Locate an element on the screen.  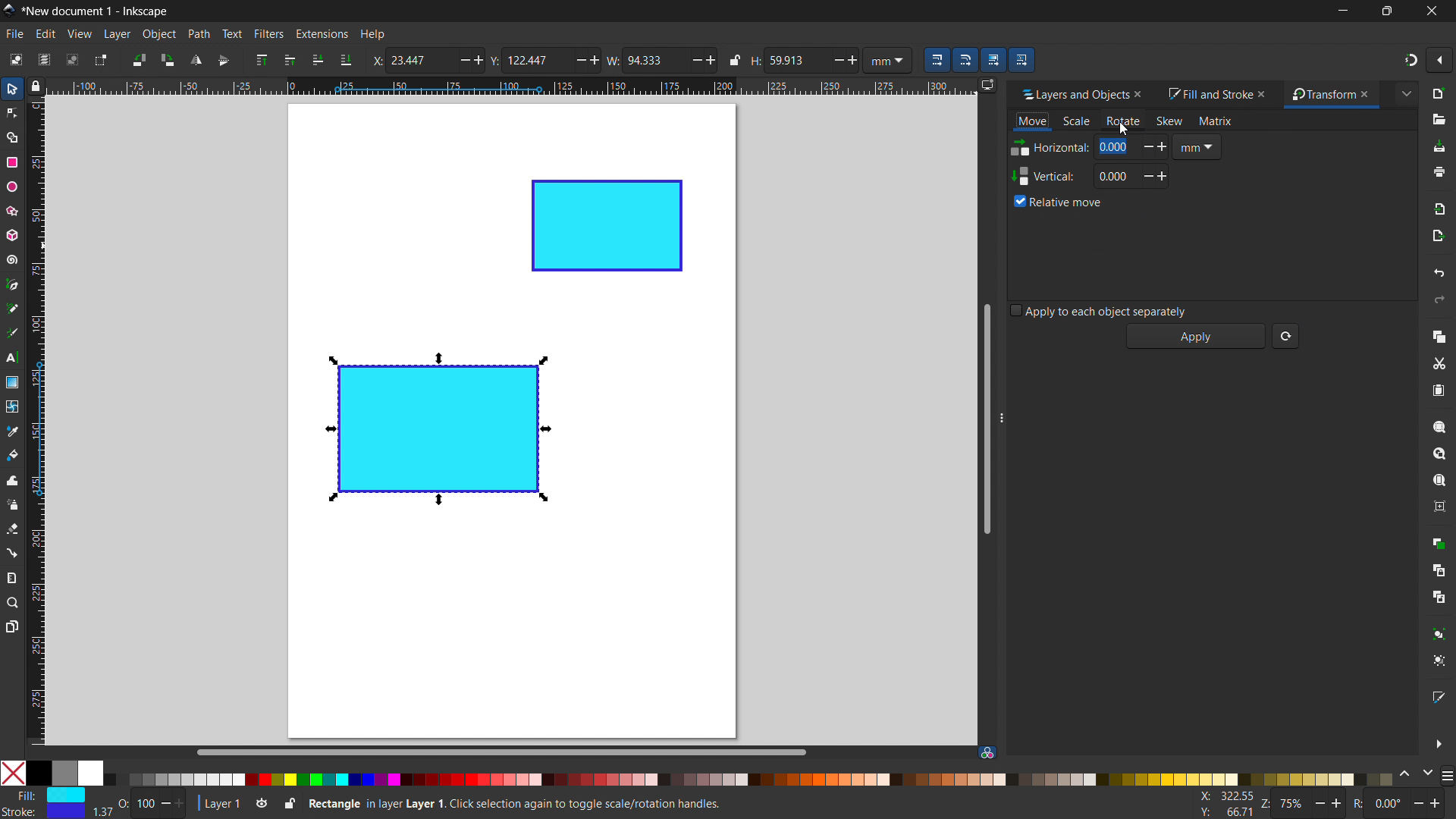
Add/ increase is located at coordinates (477, 60).